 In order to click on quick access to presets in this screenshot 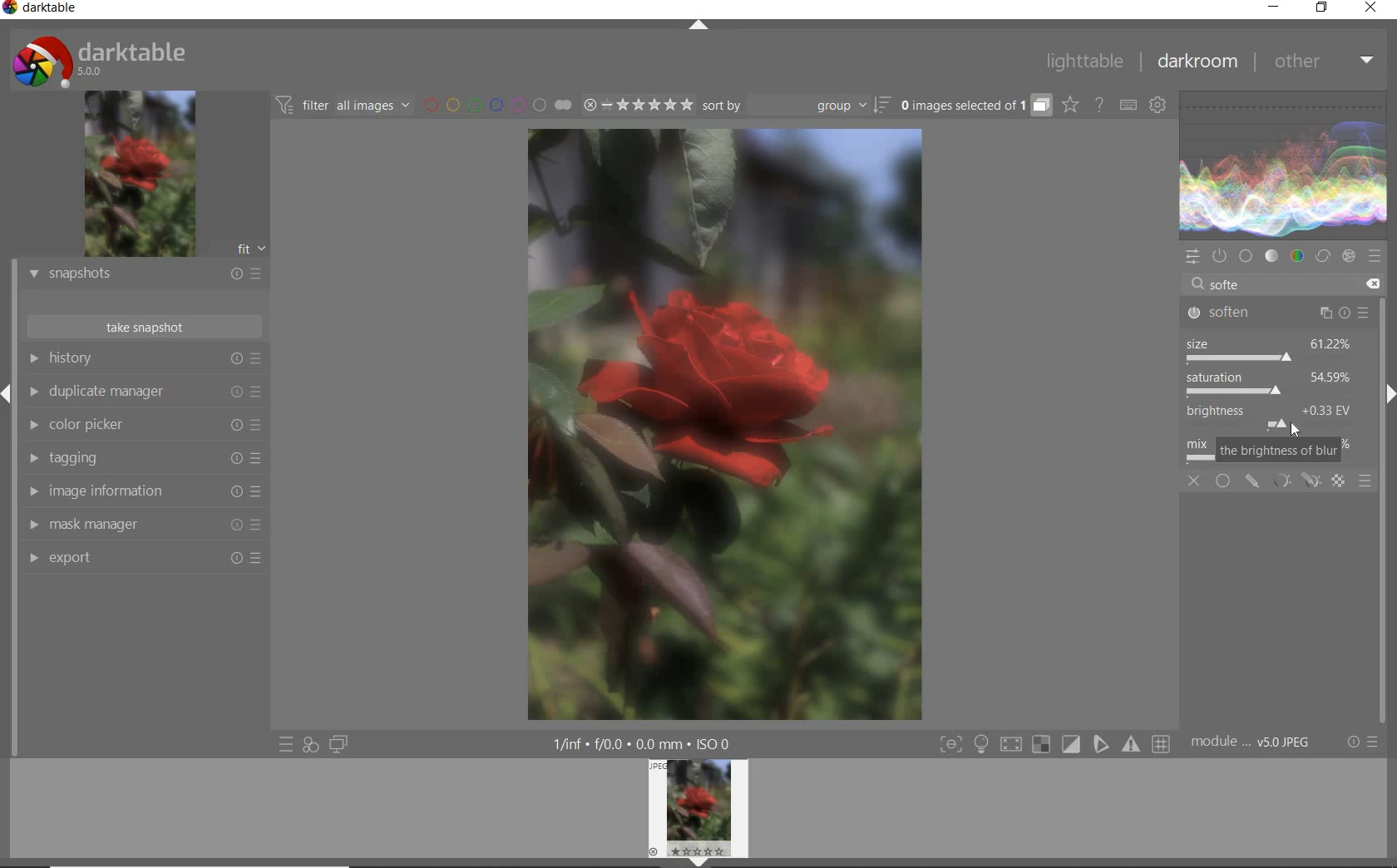, I will do `click(286, 745)`.